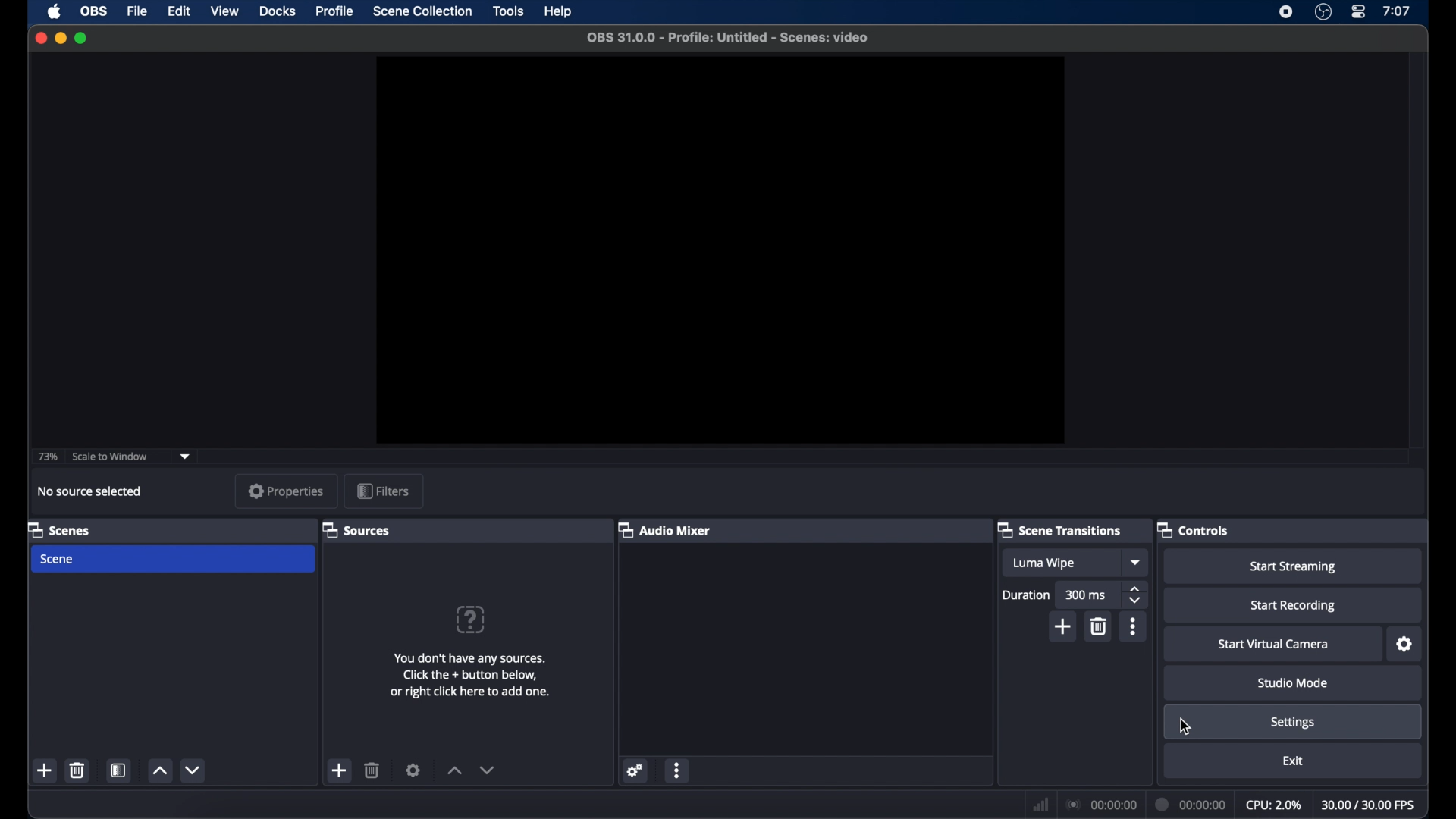 The width and height of the screenshot is (1456, 819). I want to click on scene filters, so click(119, 770).